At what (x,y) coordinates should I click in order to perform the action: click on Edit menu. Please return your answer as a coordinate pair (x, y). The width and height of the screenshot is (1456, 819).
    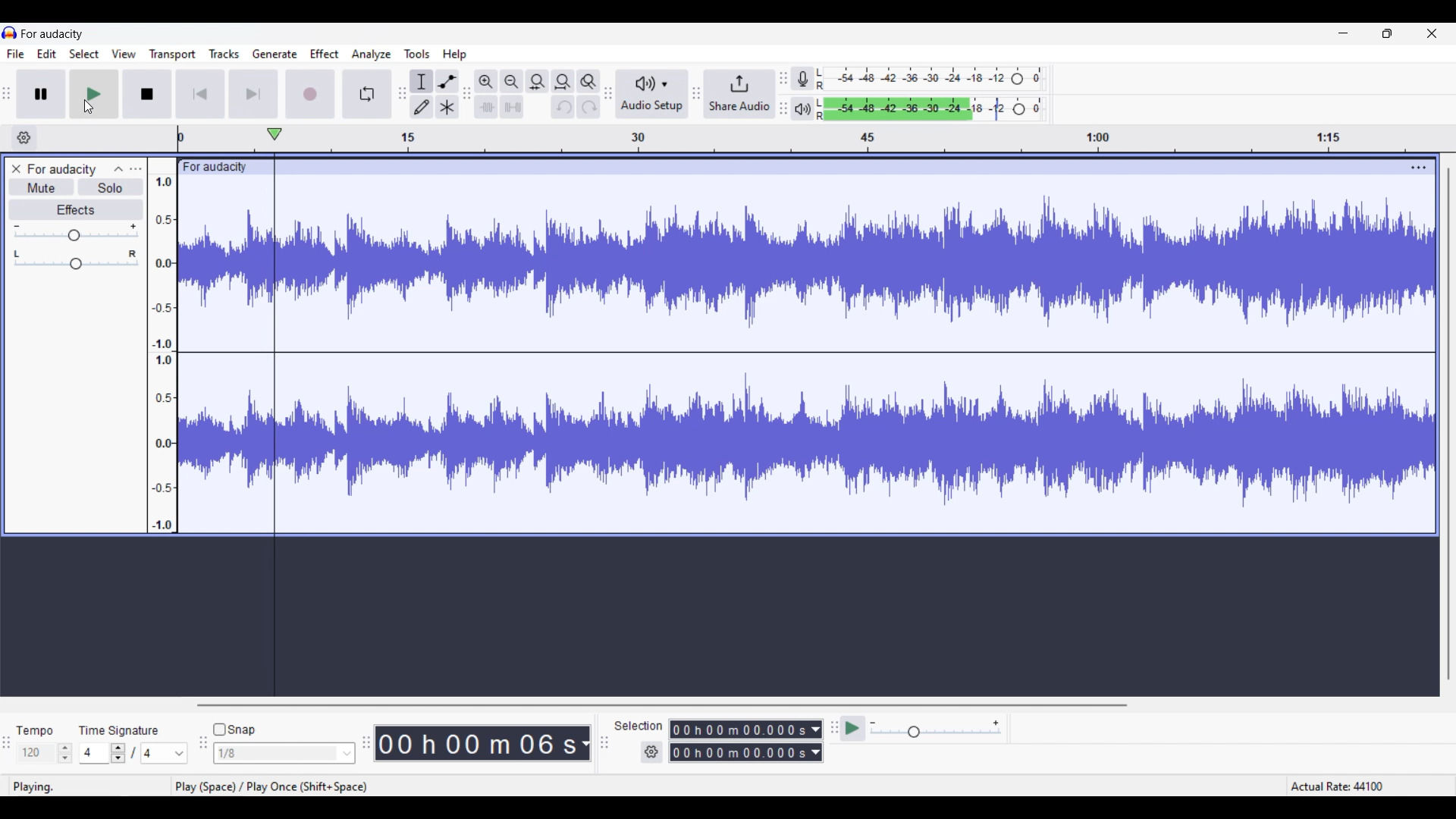
    Looking at the image, I should click on (47, 54).